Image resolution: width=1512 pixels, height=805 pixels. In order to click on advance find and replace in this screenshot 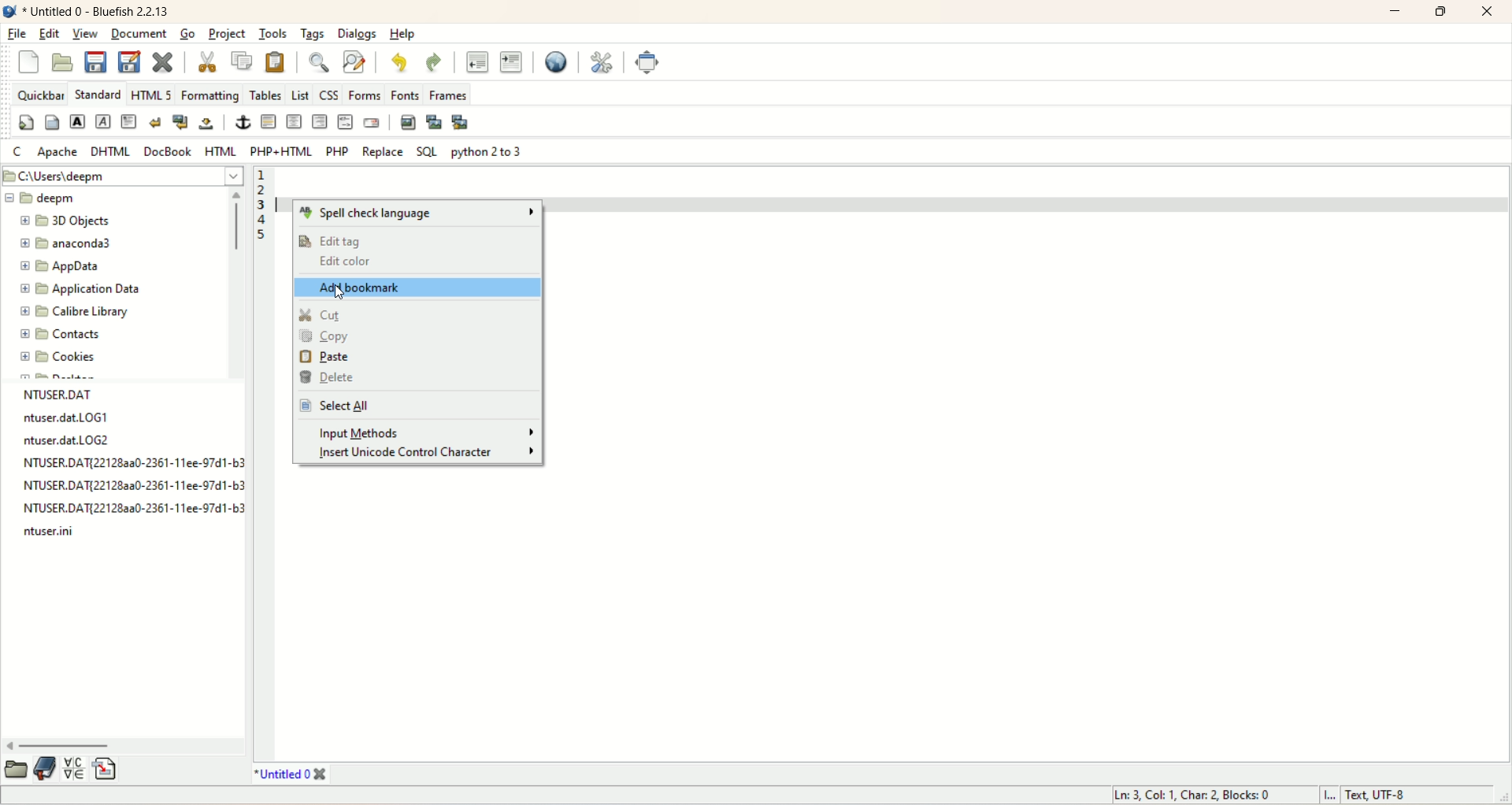, I will do `click(352, 62)`.